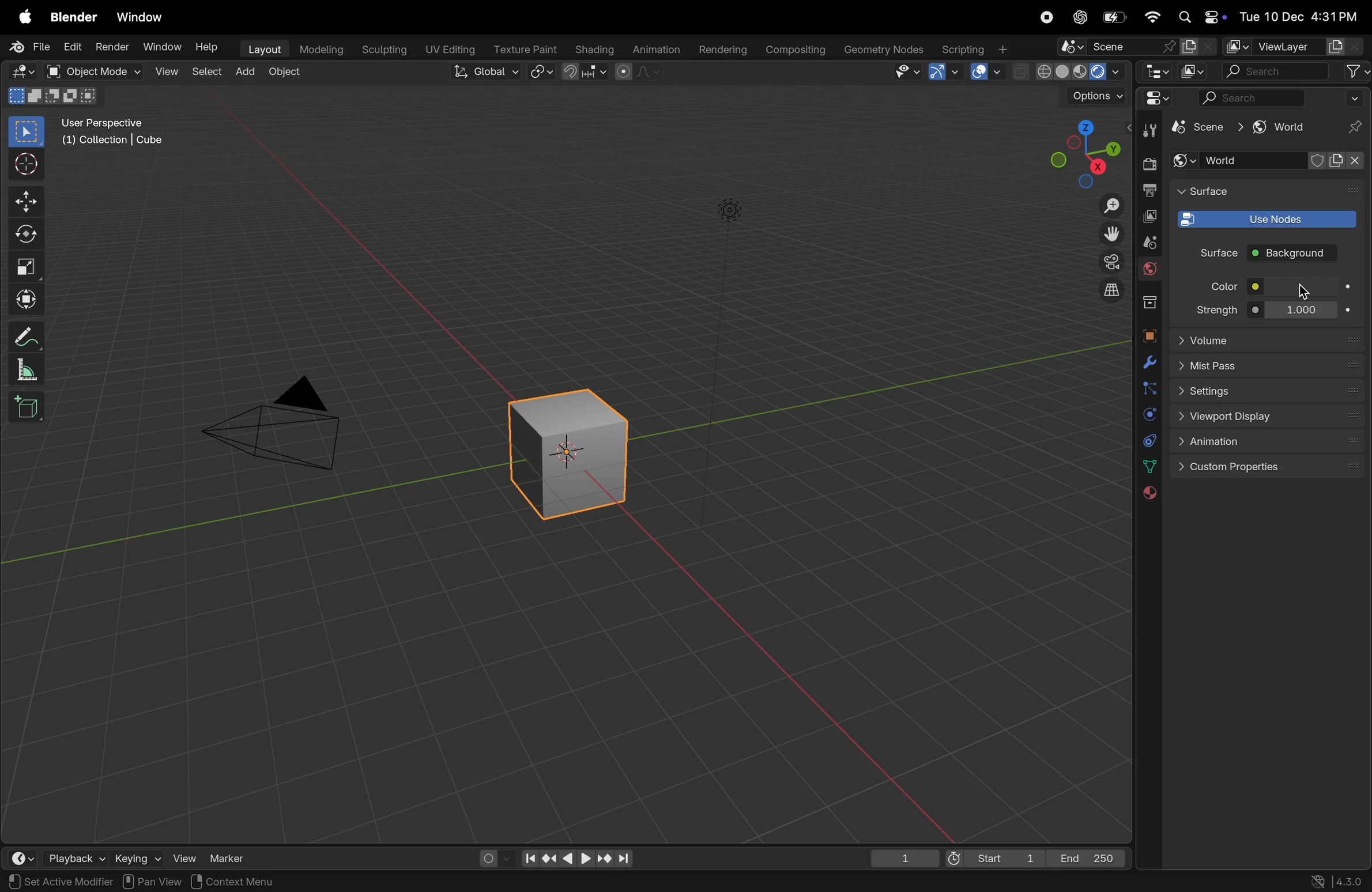  Describe the element at coordinates (1105, 290) in the screenshot. I see `orthographic view` at that location.